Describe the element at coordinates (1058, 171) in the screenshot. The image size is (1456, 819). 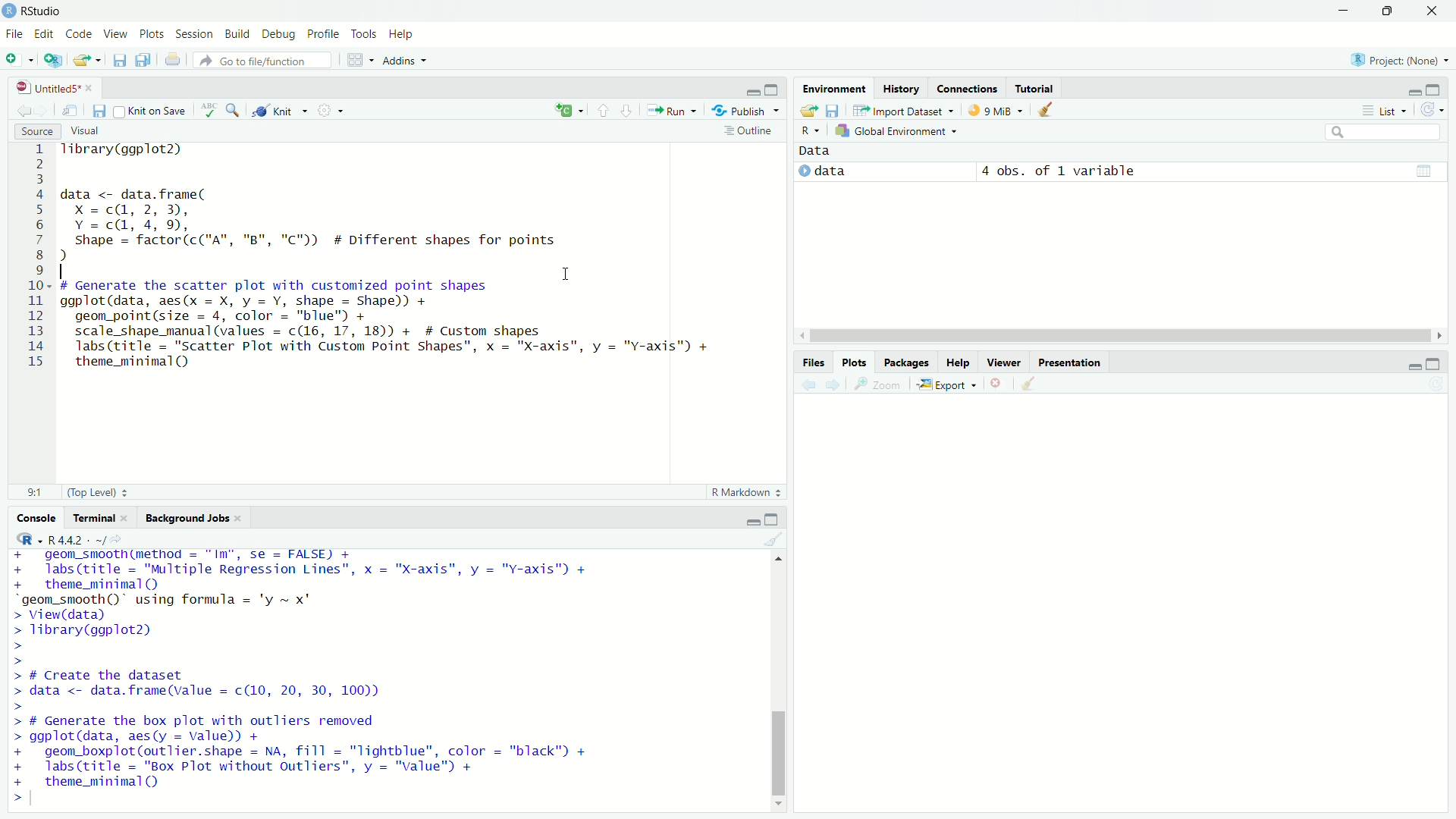
I see `4 obs. of 1 variable` at that location.